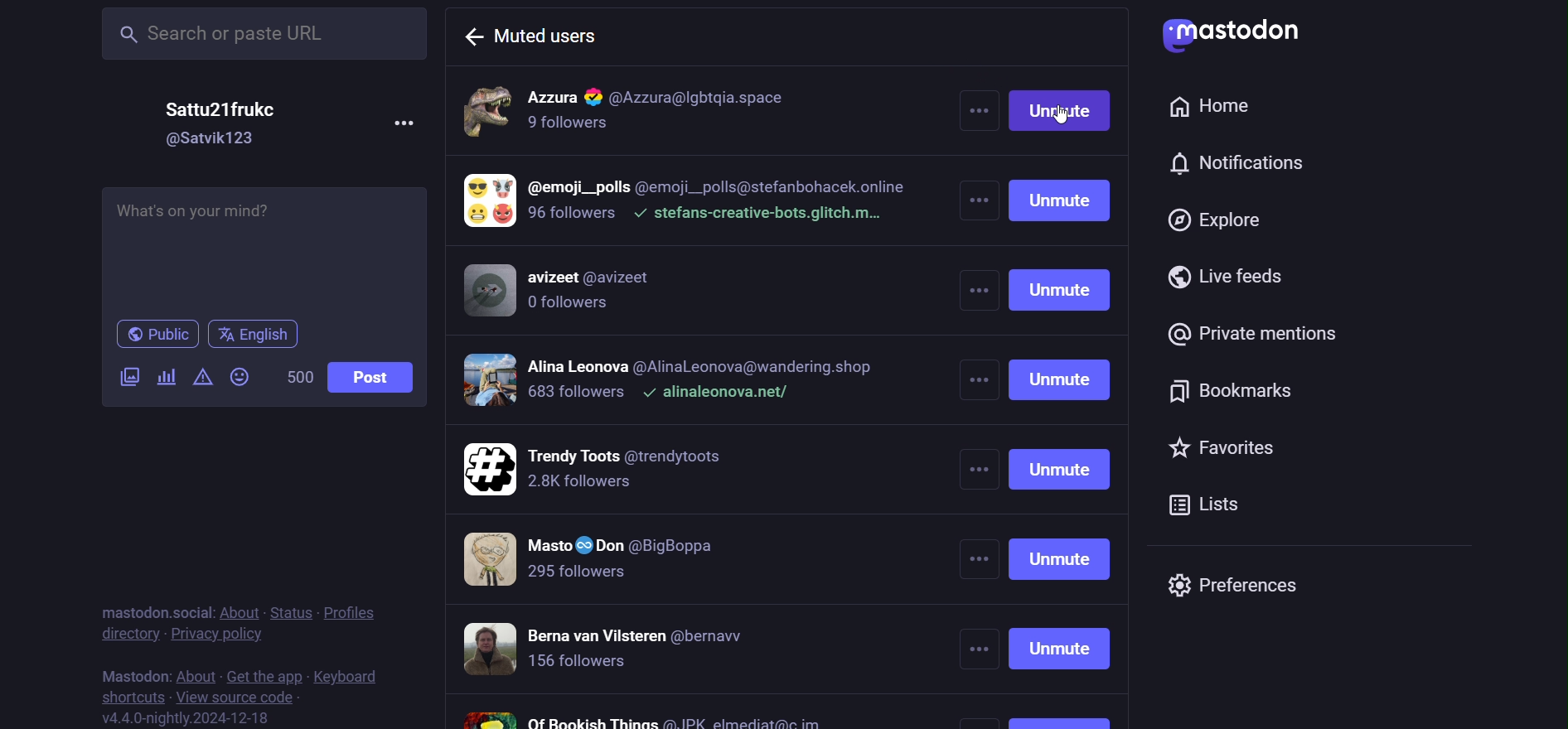 This screenshot has width=1568, height=729. I want to click on live feed, so click(1227, 277).